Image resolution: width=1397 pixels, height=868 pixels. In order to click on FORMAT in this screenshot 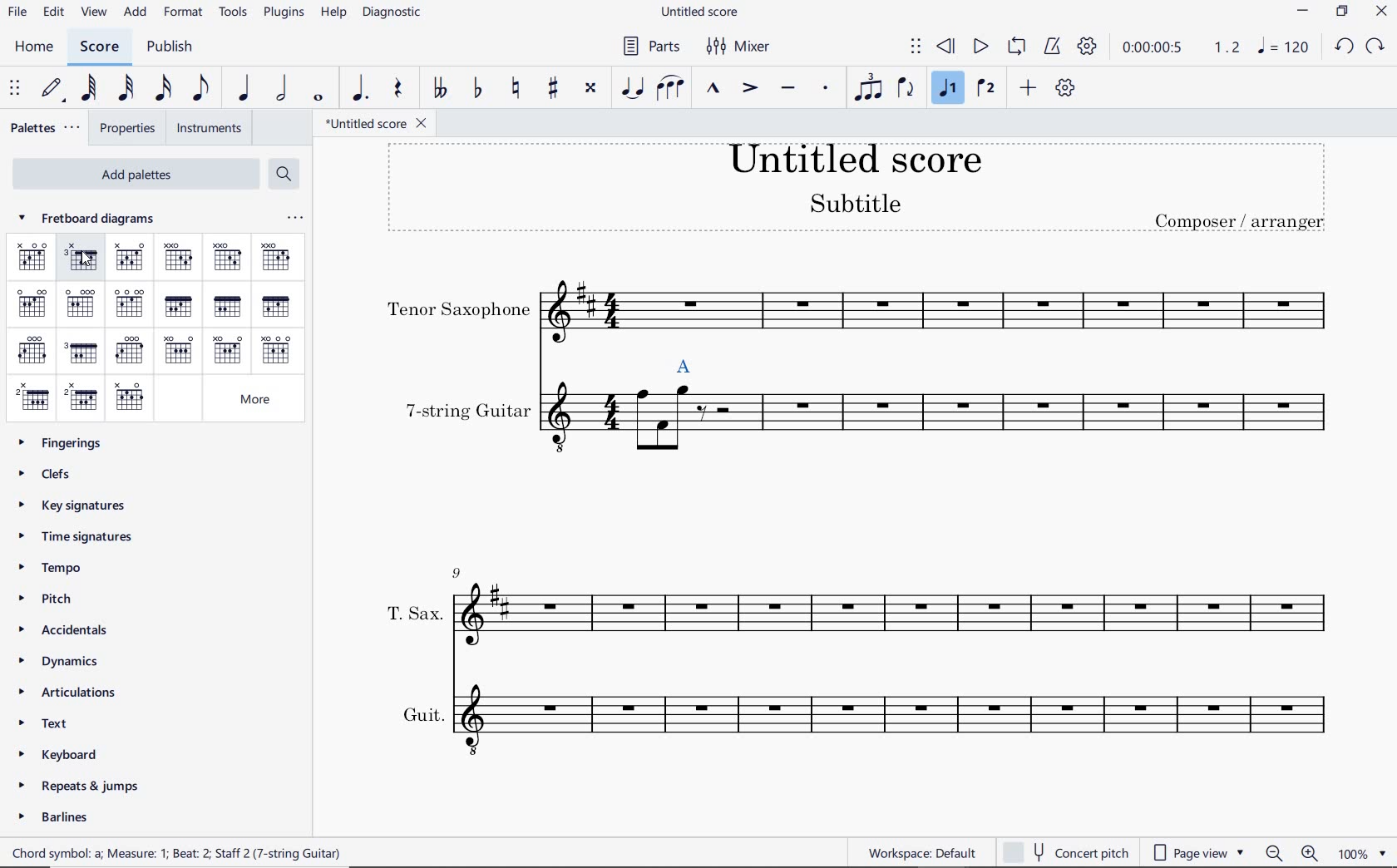, I will do `click(184, 13)`.